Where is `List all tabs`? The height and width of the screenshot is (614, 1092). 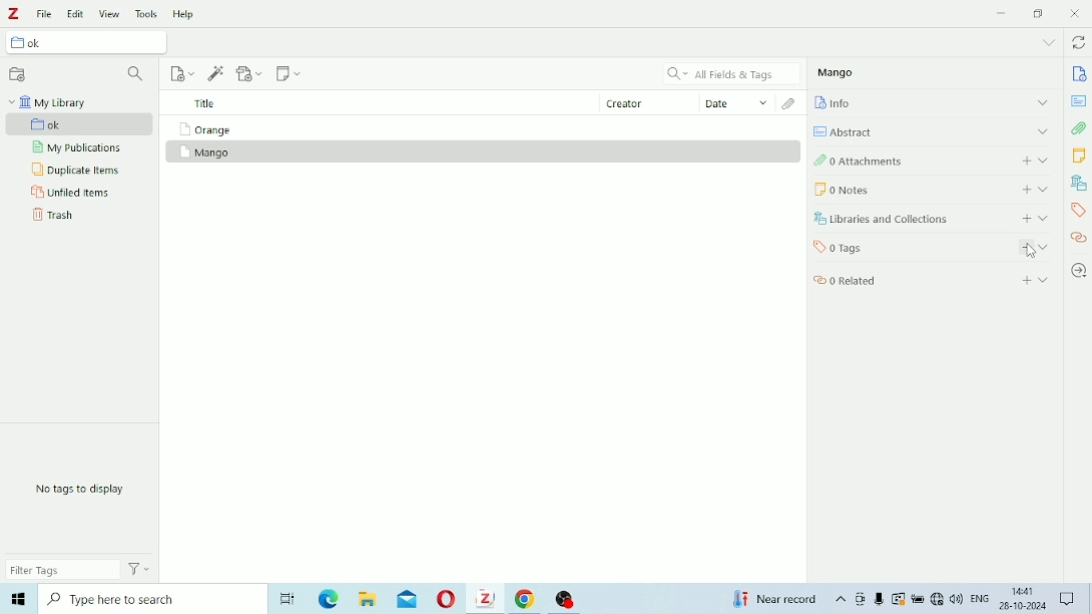 List all tabs is located at coordinates (1050, 43).